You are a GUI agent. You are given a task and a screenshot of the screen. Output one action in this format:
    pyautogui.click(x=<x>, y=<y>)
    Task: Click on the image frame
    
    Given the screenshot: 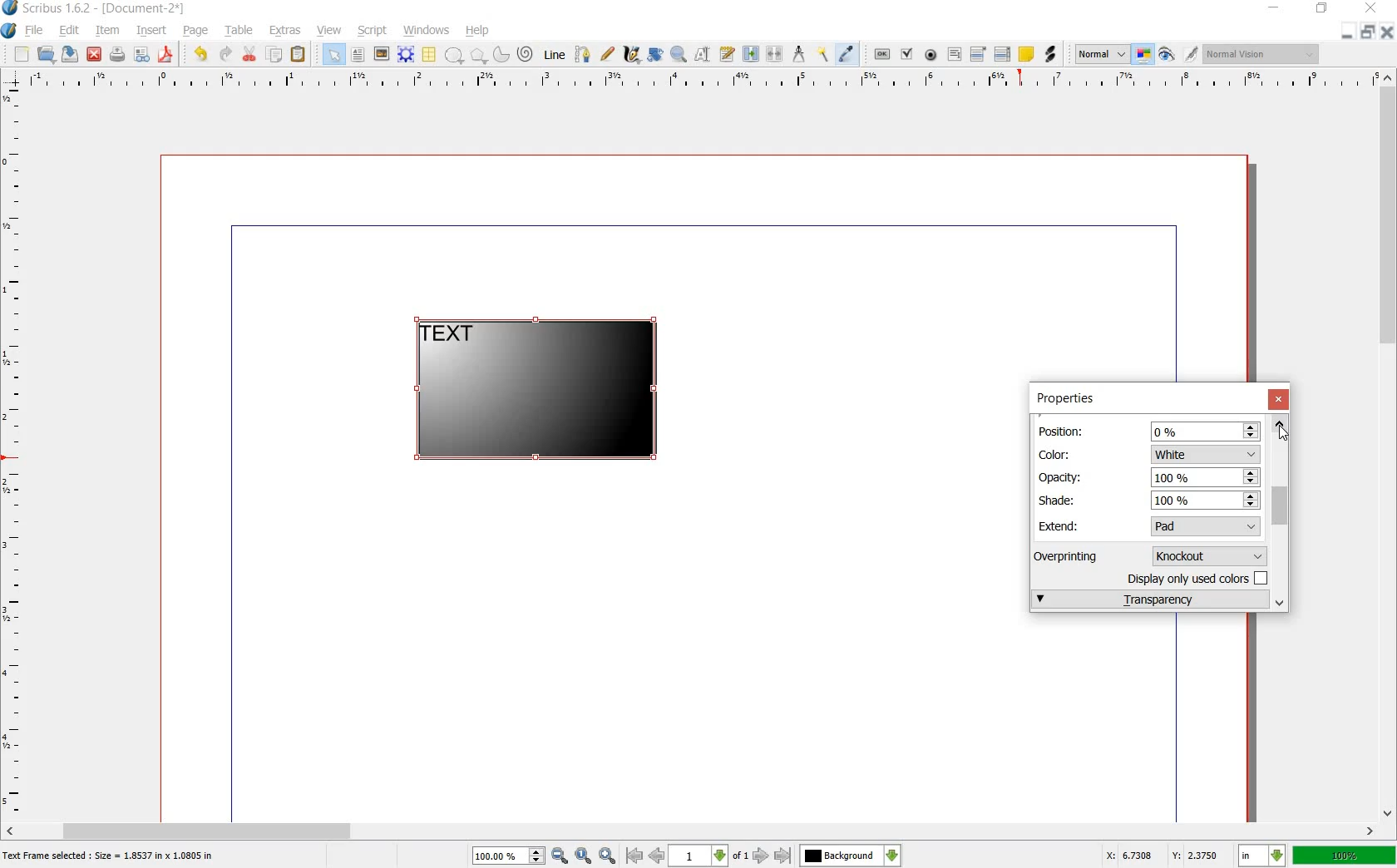 What is the action you would take?
    pyautogui.click(x=380, y=54)
    